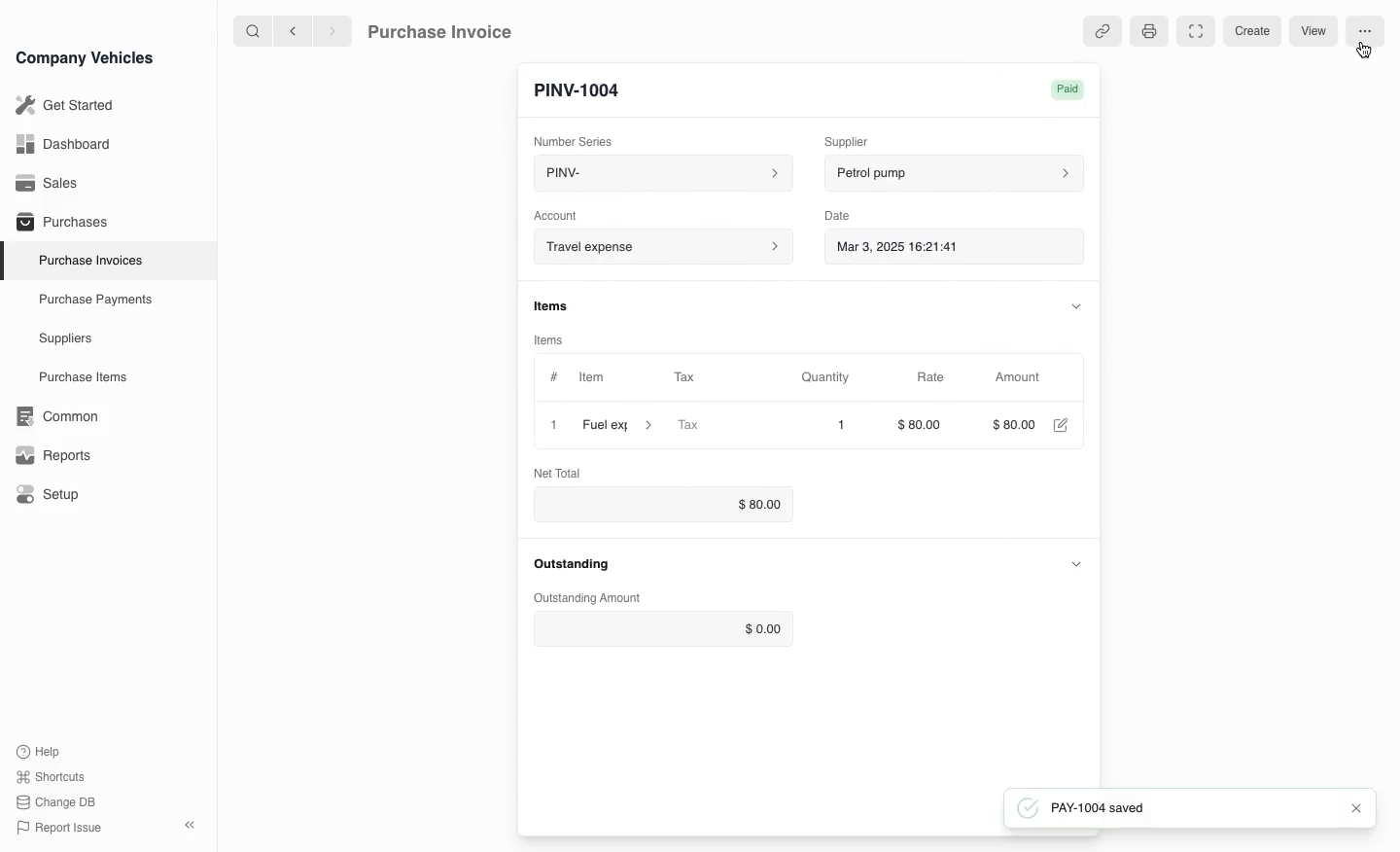  Describe the element at coordinates (589, 594) in the screenshot. I see `Outstanding Amount` at that location.